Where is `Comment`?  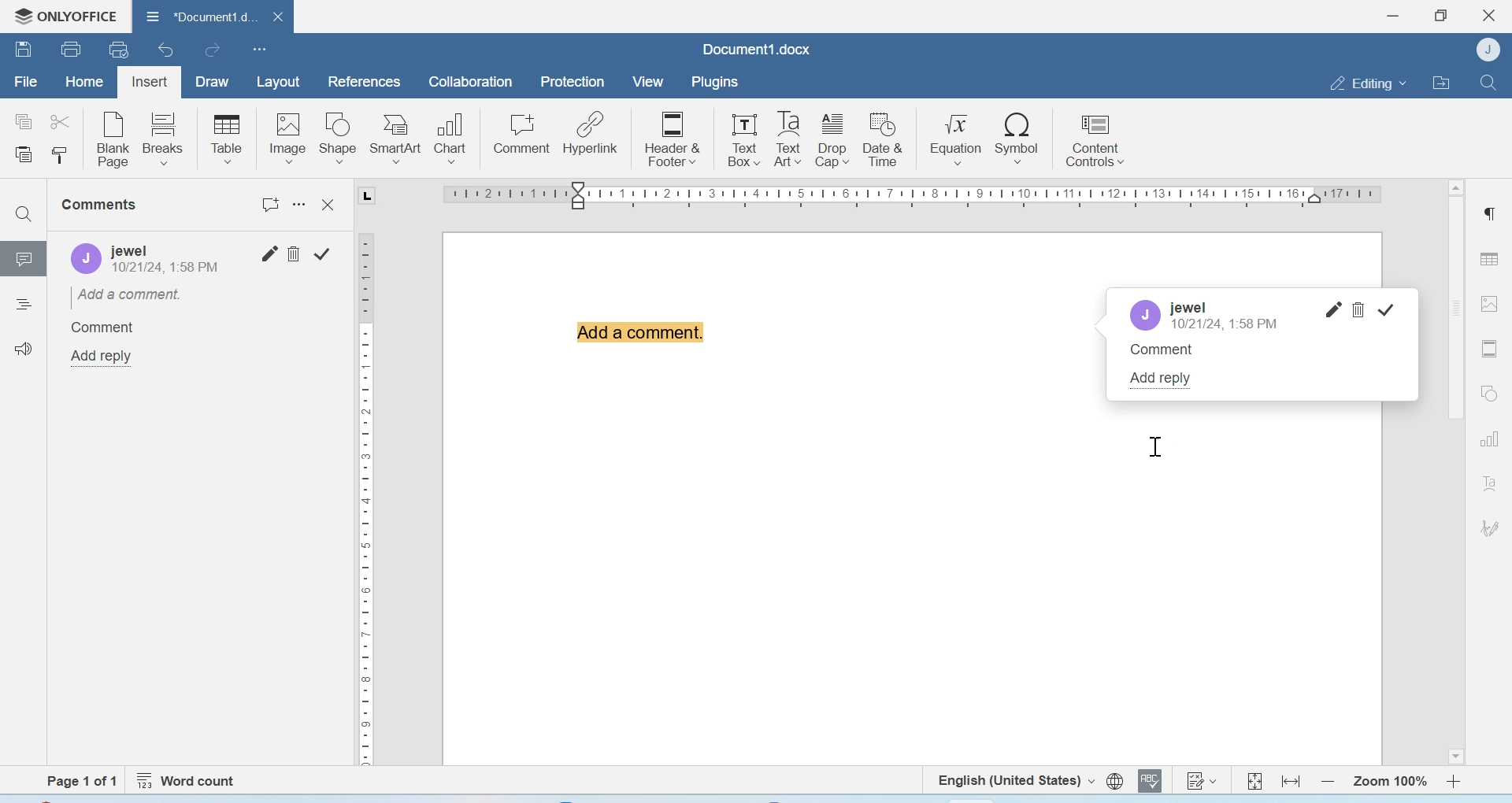 Comment is located at coordinates (1171, 355).